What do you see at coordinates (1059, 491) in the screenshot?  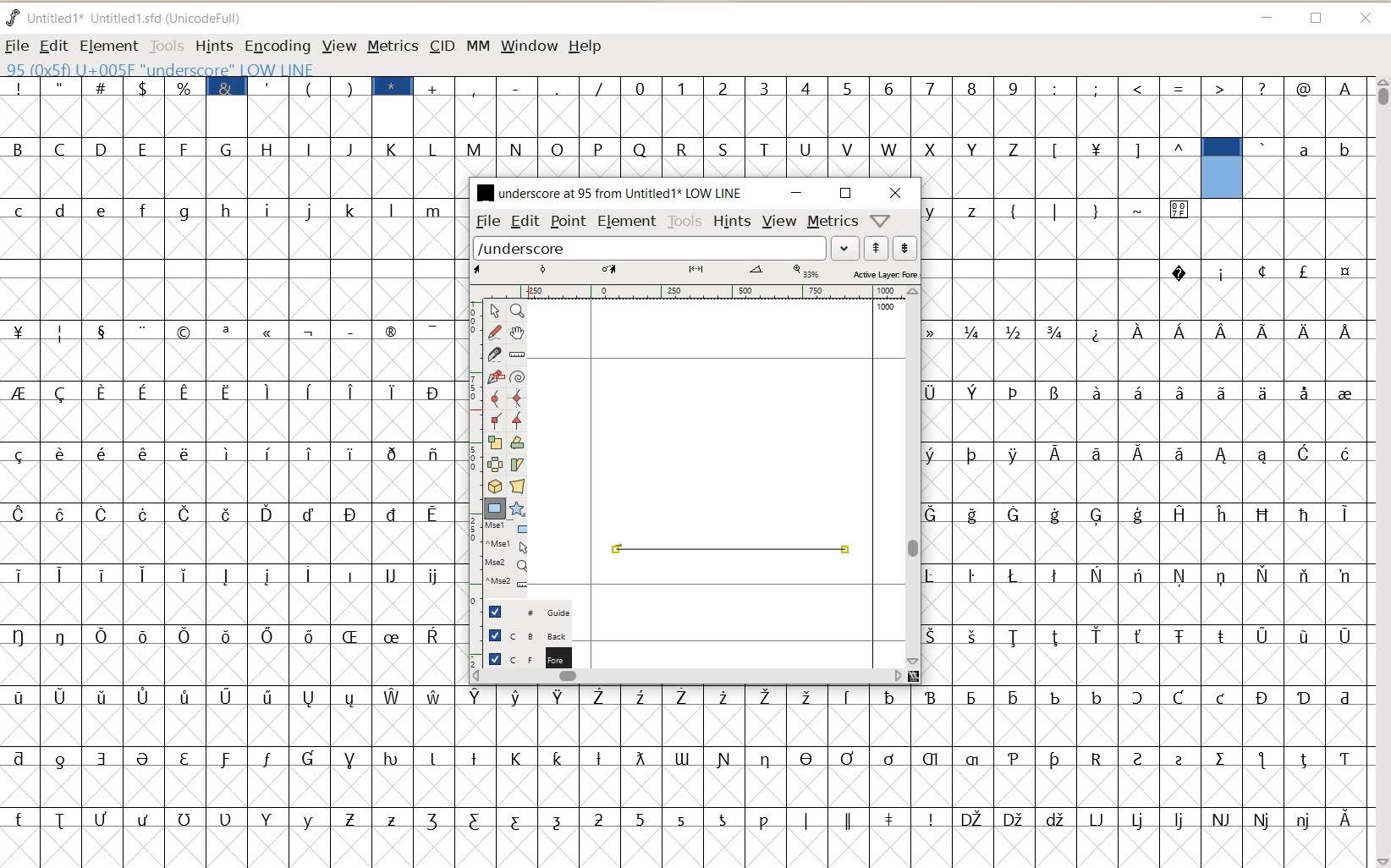 I see `GLYPHY CHARACTERS` at bounding box center [1059, 491].